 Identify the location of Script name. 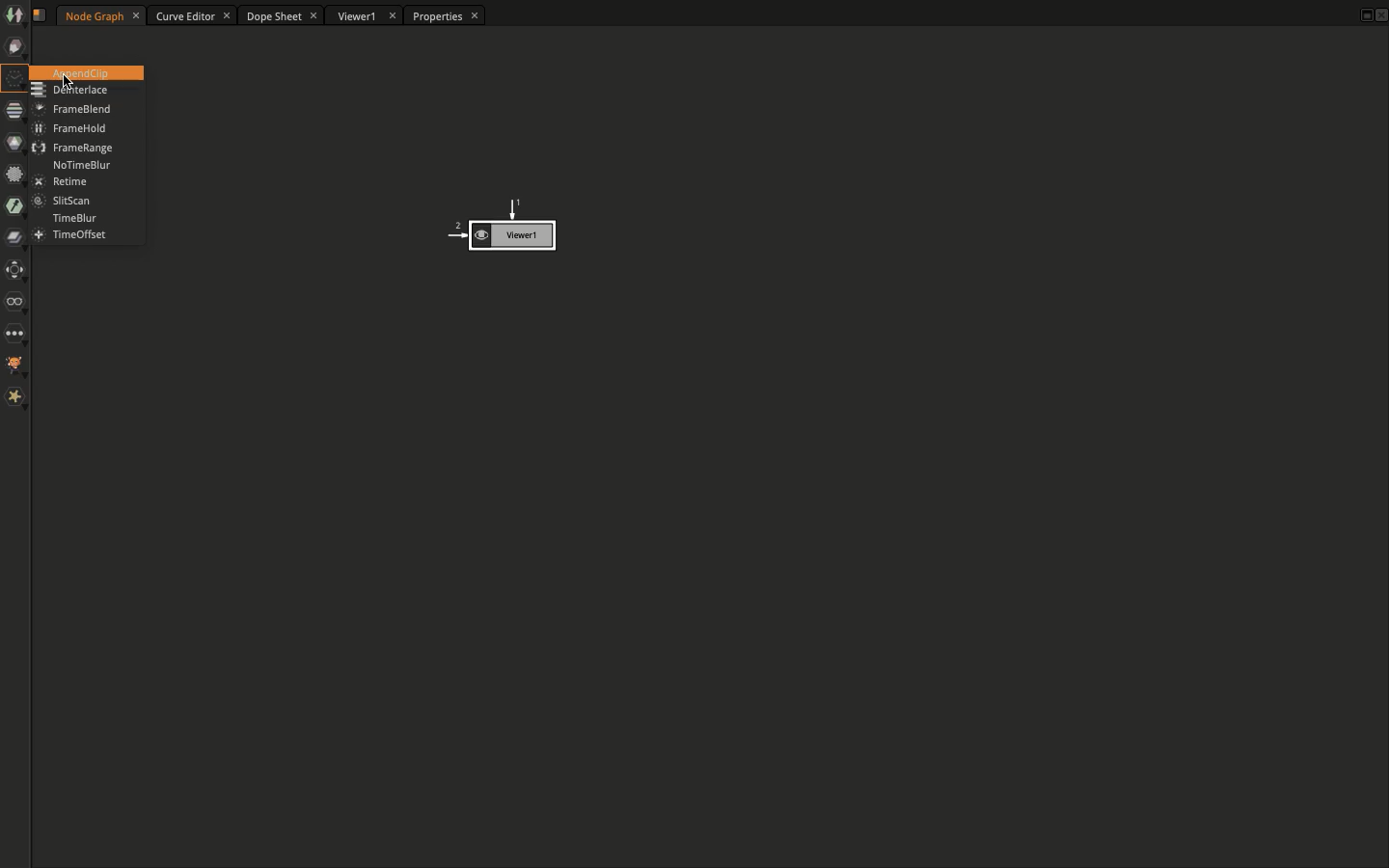
(44, 16).